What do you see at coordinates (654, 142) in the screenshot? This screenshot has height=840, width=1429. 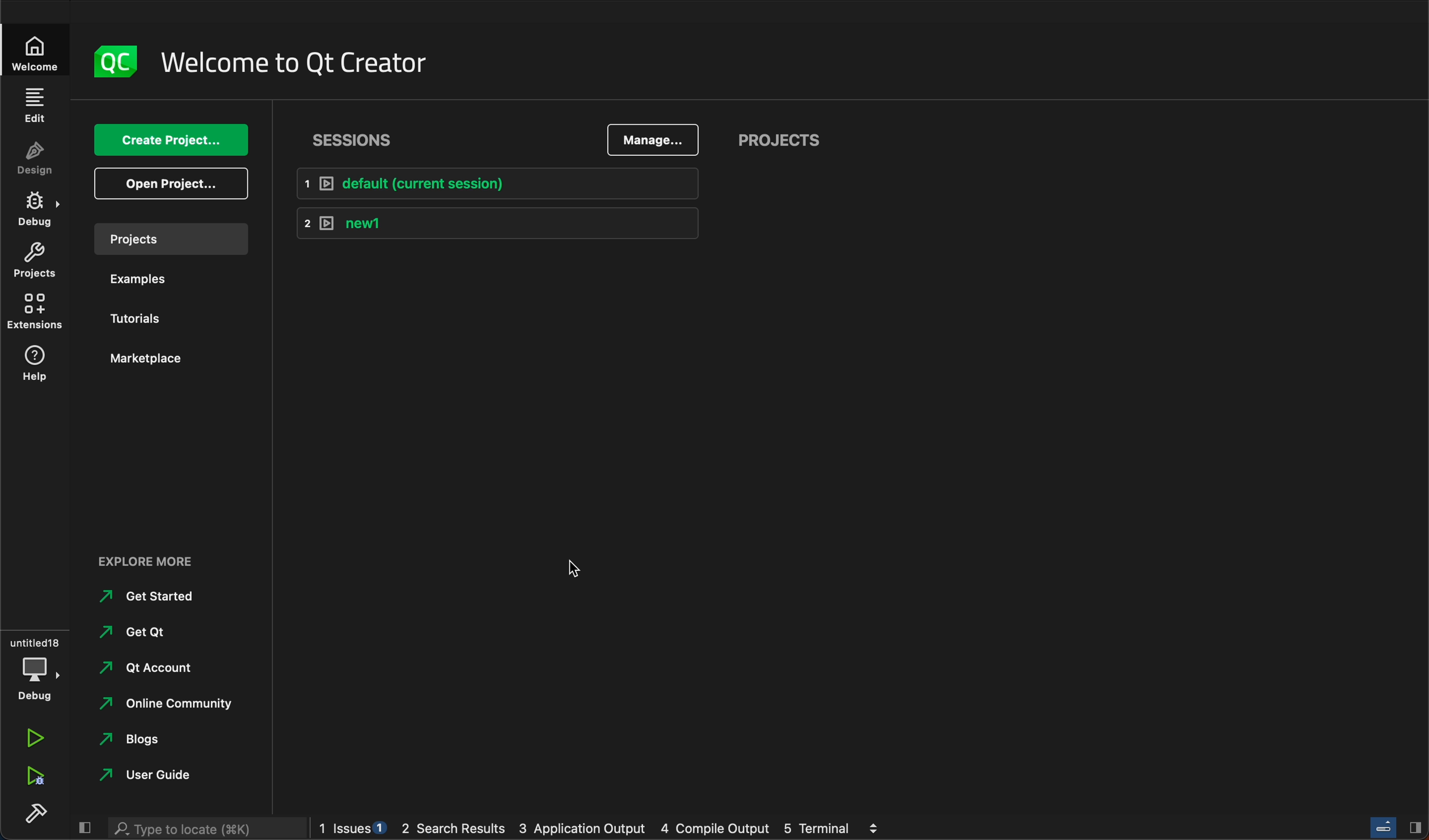 I see `manage` at bounding box center [654, 142].